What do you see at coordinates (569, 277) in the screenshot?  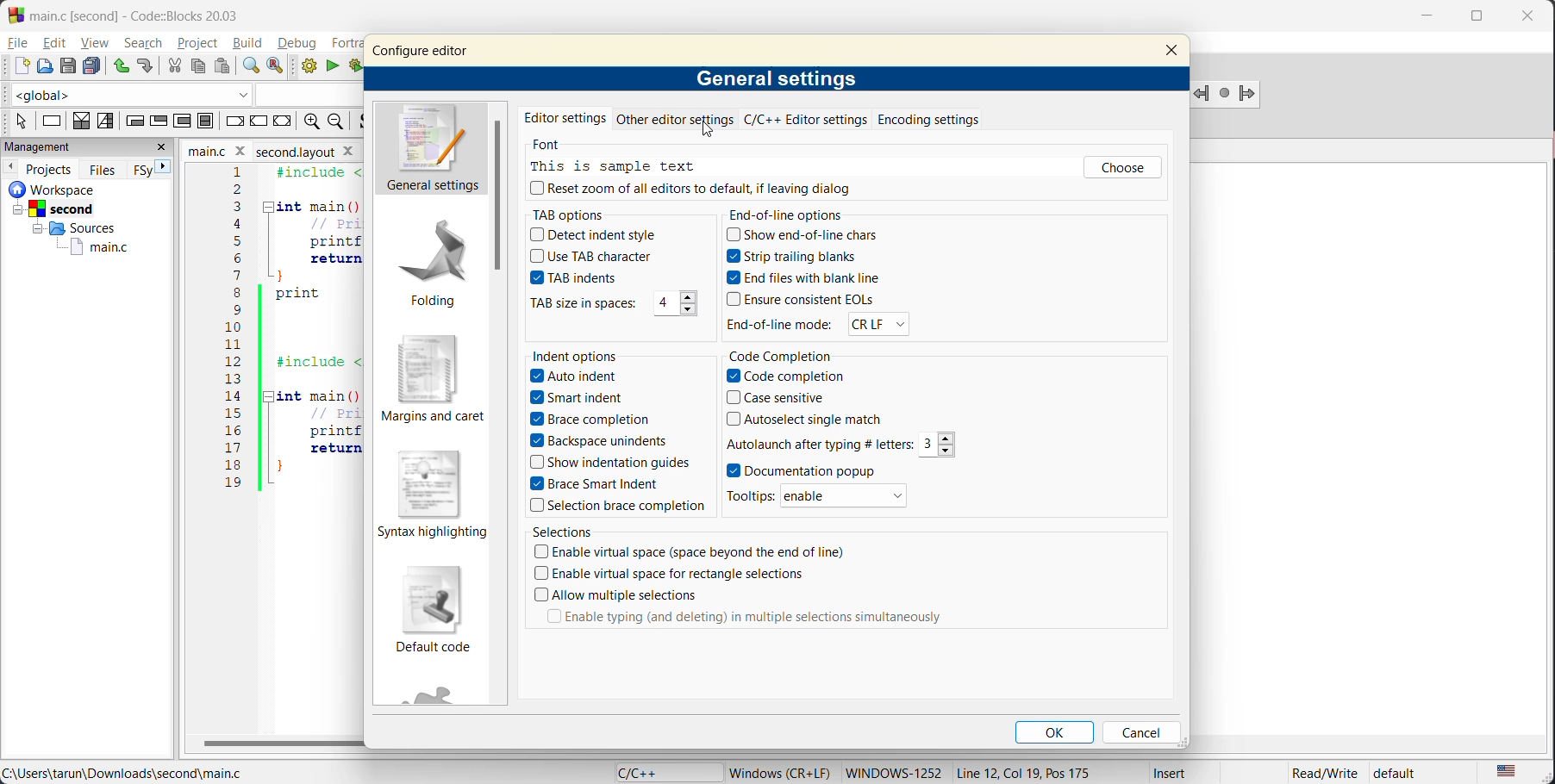 I see `TAB indents` at bounding box center [569, 277].